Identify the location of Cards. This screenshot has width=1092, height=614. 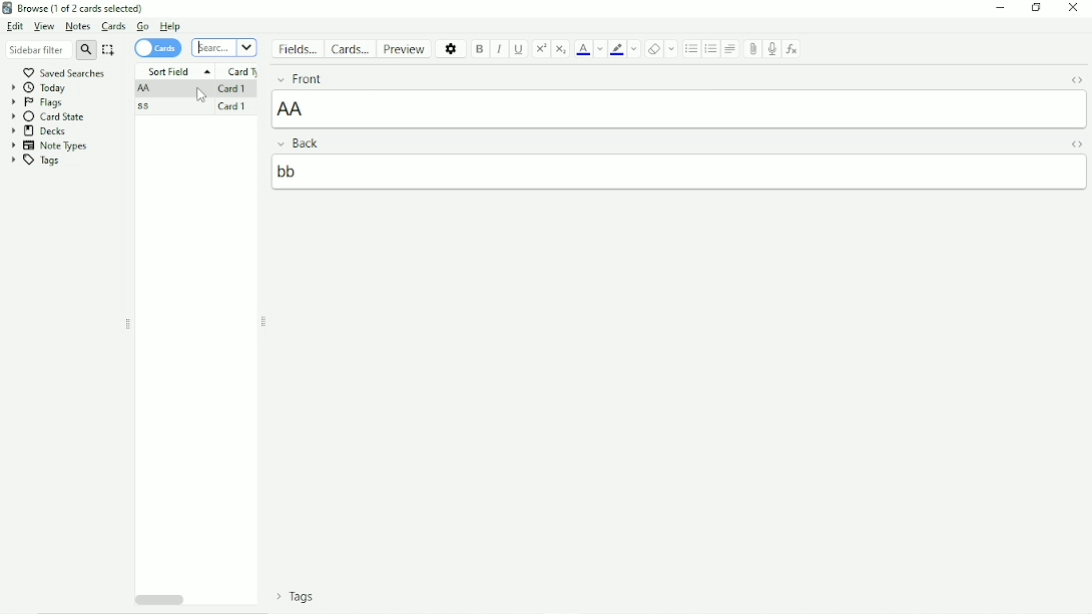
(114, 27).